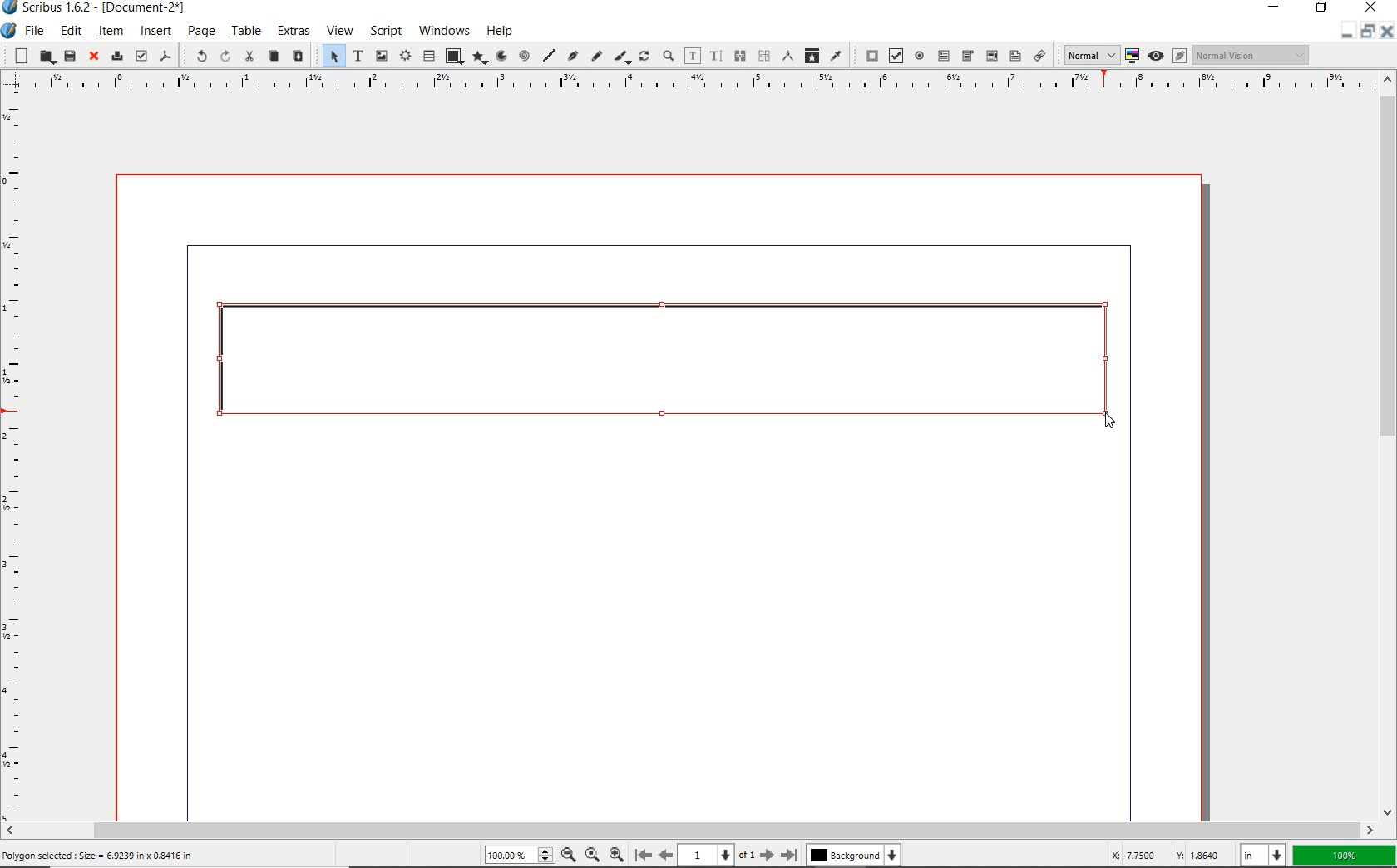 The width and height of the screenshot is (1397, 868). I want to click on render frame, so click(404, 57).